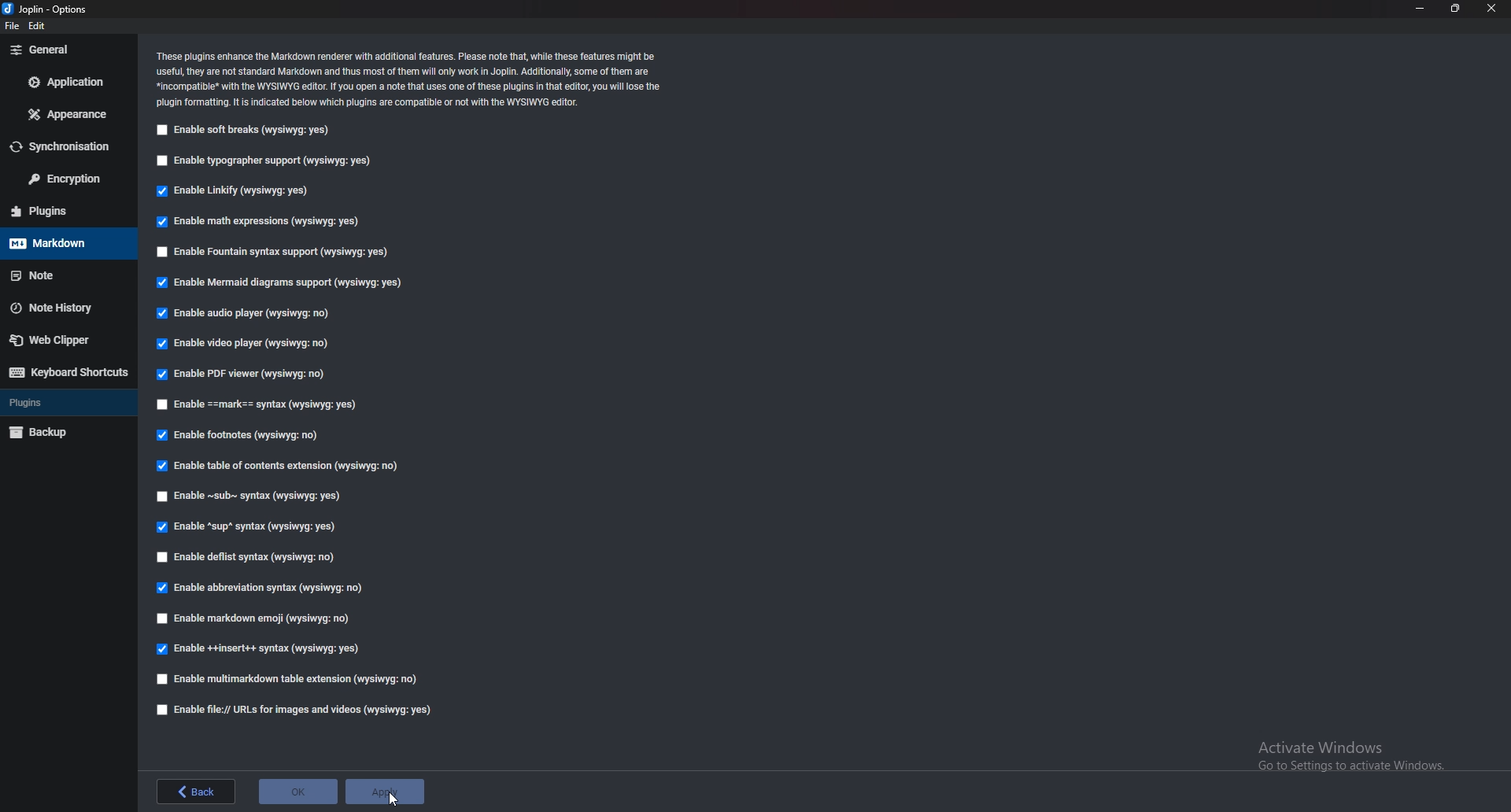 Image resolution: width=1511 pixels, height=812 pixels. I want to click on ok, so click(299, 790).